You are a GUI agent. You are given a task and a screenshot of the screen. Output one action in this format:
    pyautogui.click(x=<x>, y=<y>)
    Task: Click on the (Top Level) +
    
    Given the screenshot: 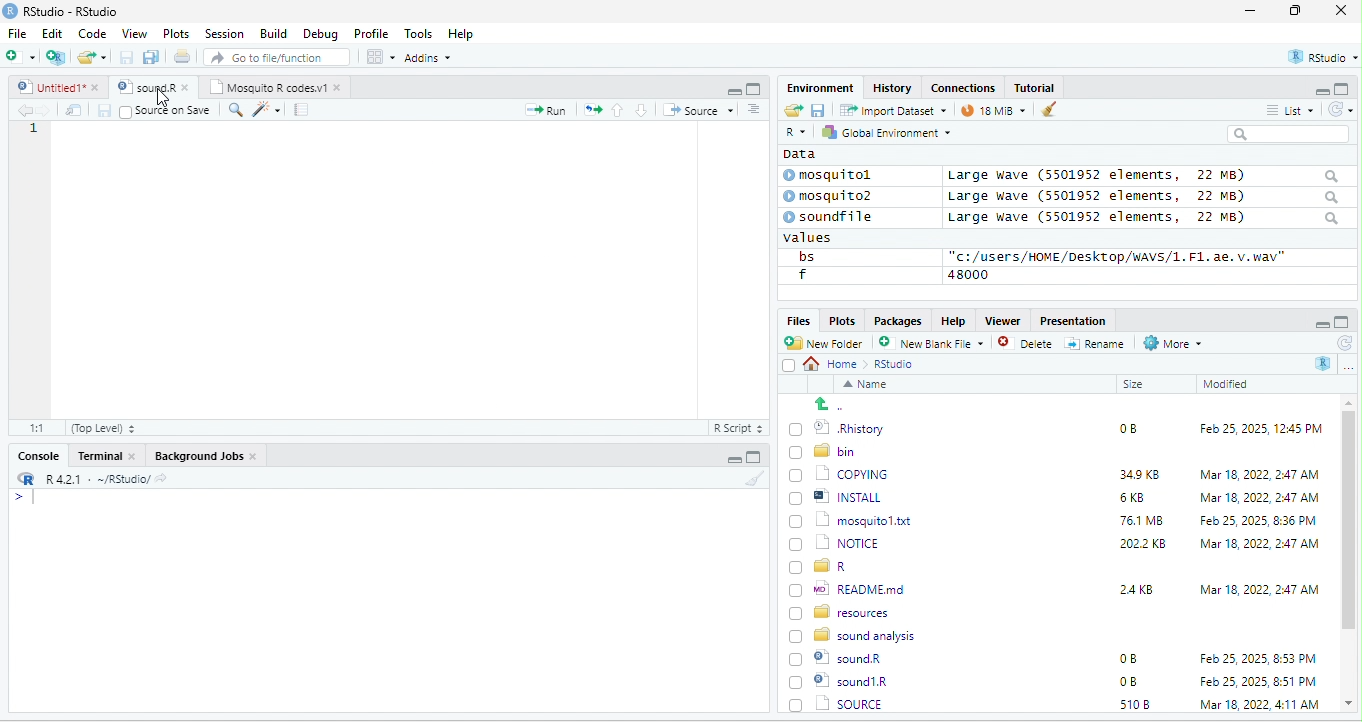 What is the action you would take?
    pyautogui.click(x=103, y=428)
    